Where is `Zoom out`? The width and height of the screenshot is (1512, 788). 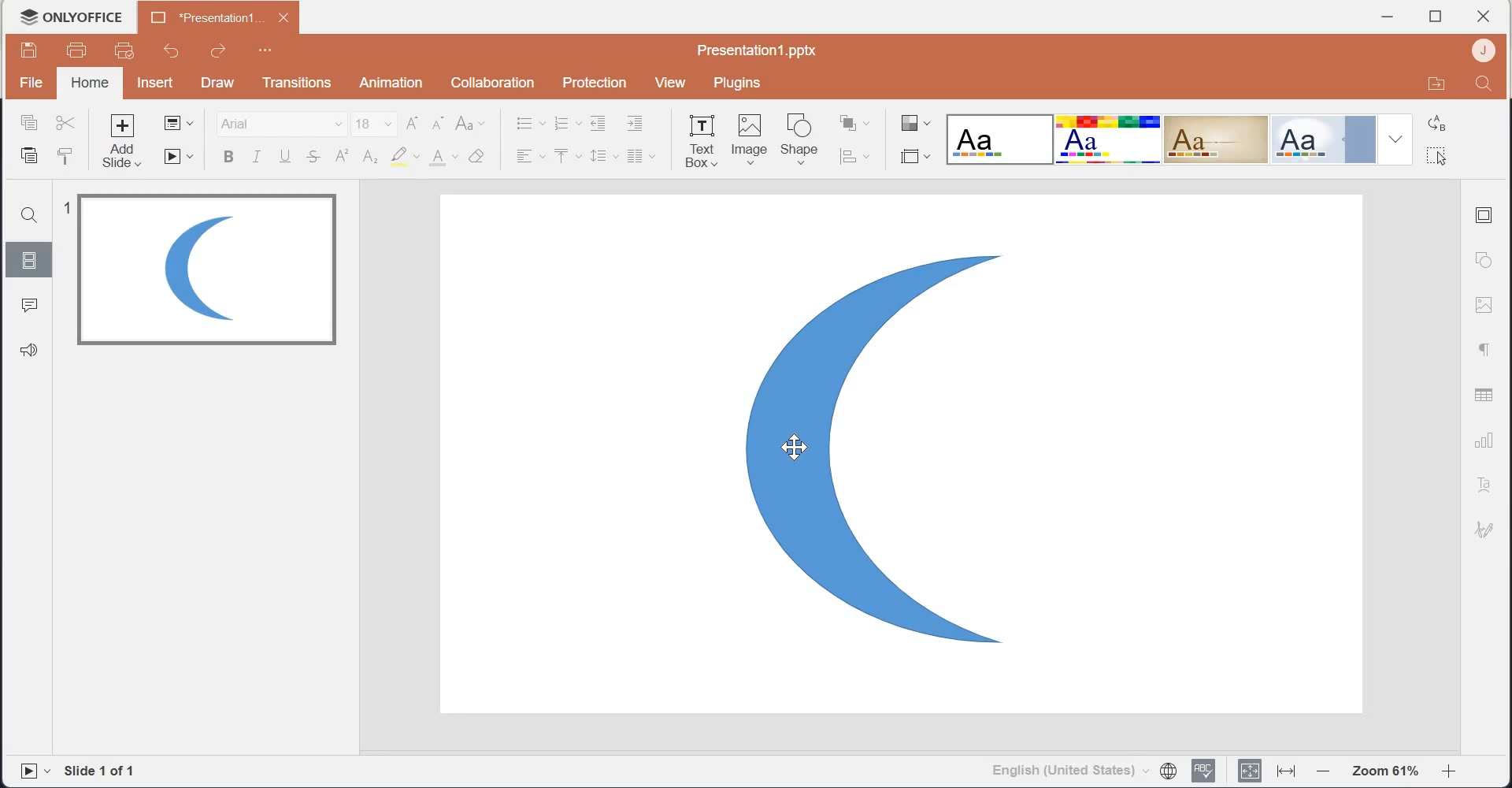 Zoom out is located at coordinates (1322, 772).